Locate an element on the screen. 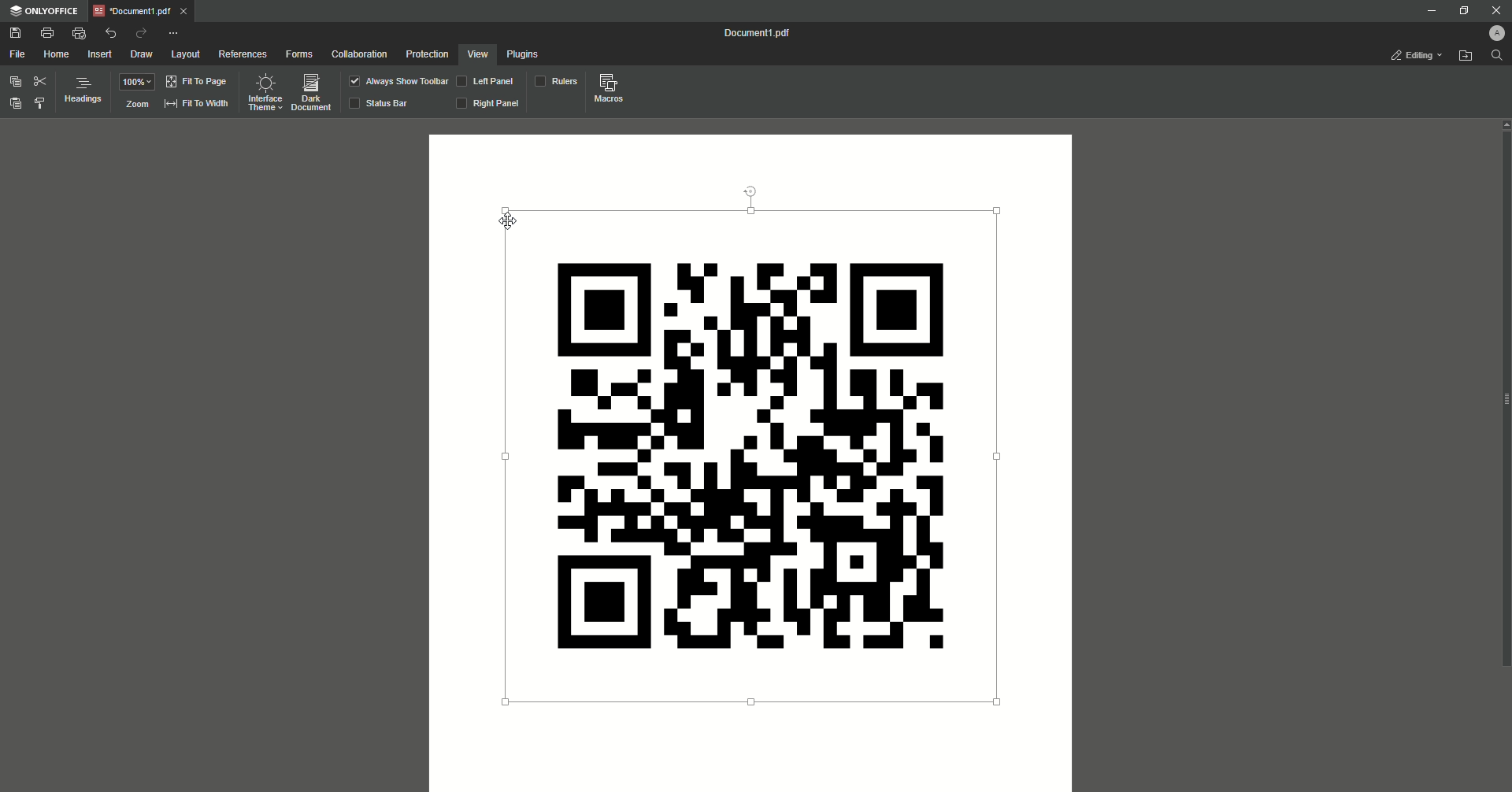 The image size is (1512, 792). layout is located at coordinates (187, 56).